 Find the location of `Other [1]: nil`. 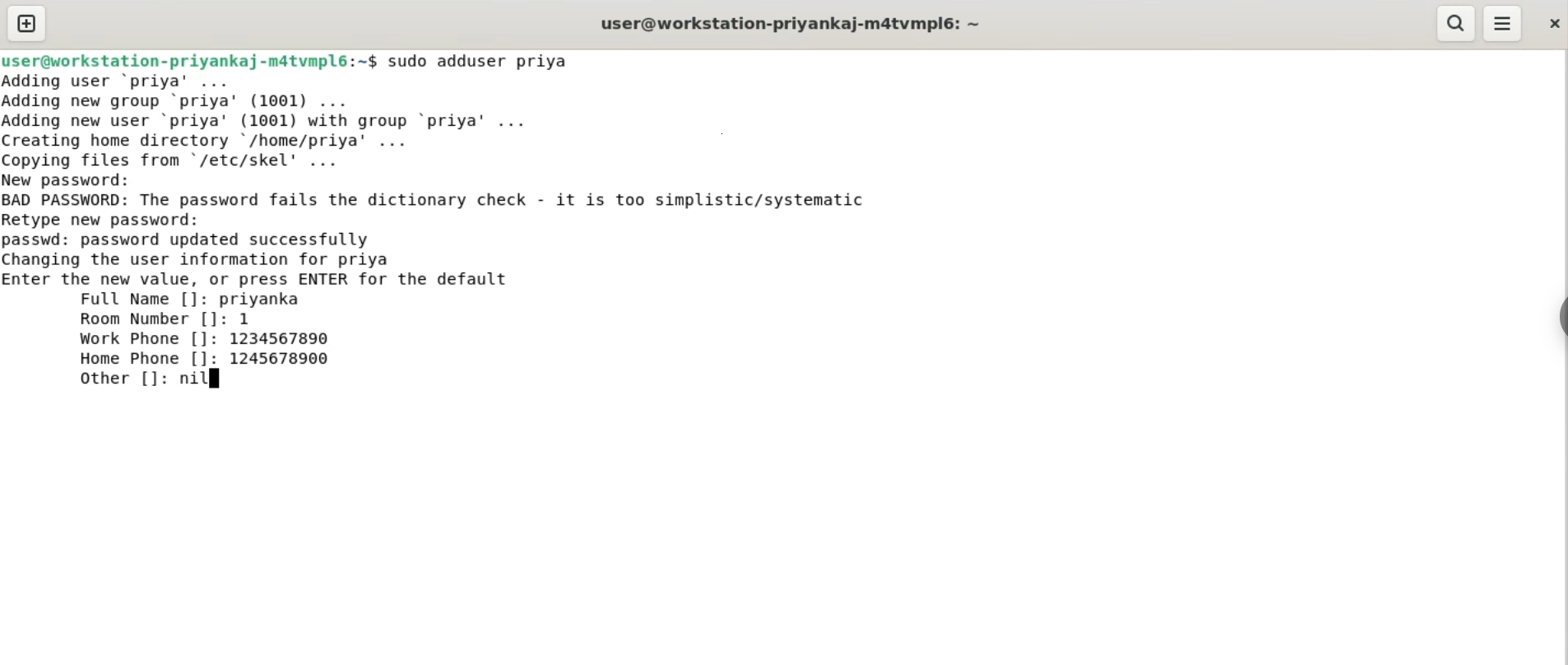

Other [1]: nil is located at coordinates (142, 378).